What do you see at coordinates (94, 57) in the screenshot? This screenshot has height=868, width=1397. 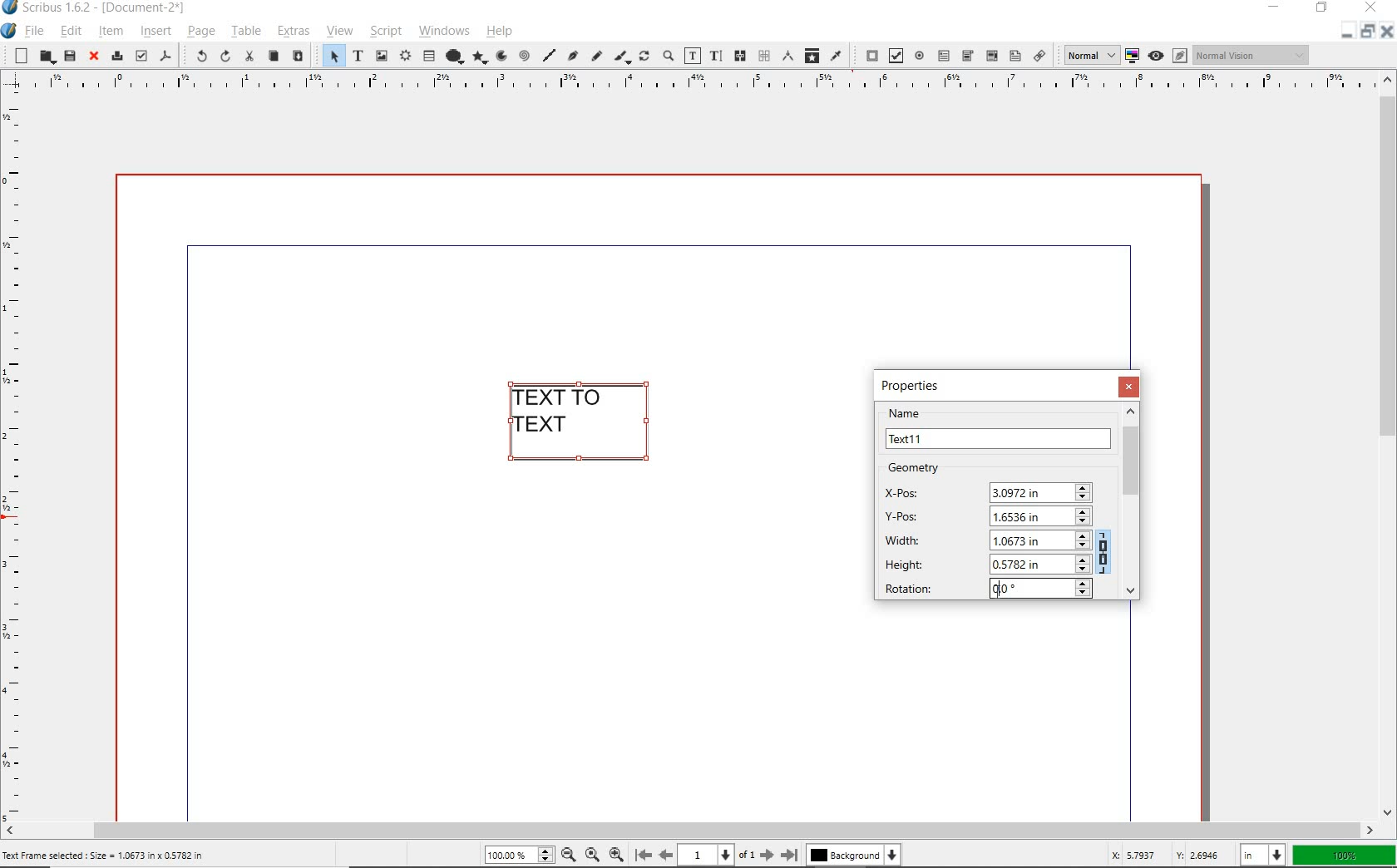 I see `close` at bounding box center [94, 57].